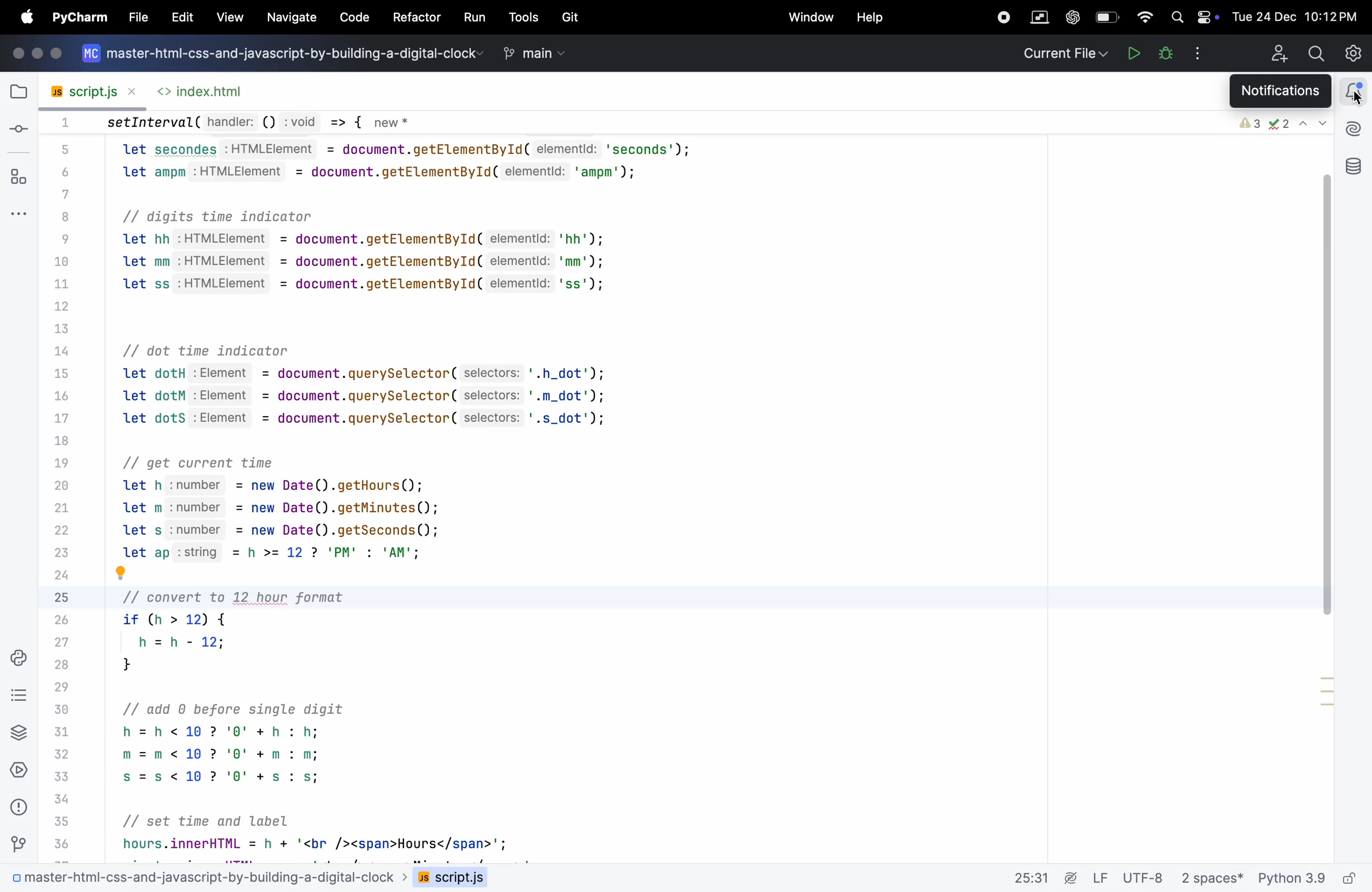  I want to click on scroll, so click(1327, 399).